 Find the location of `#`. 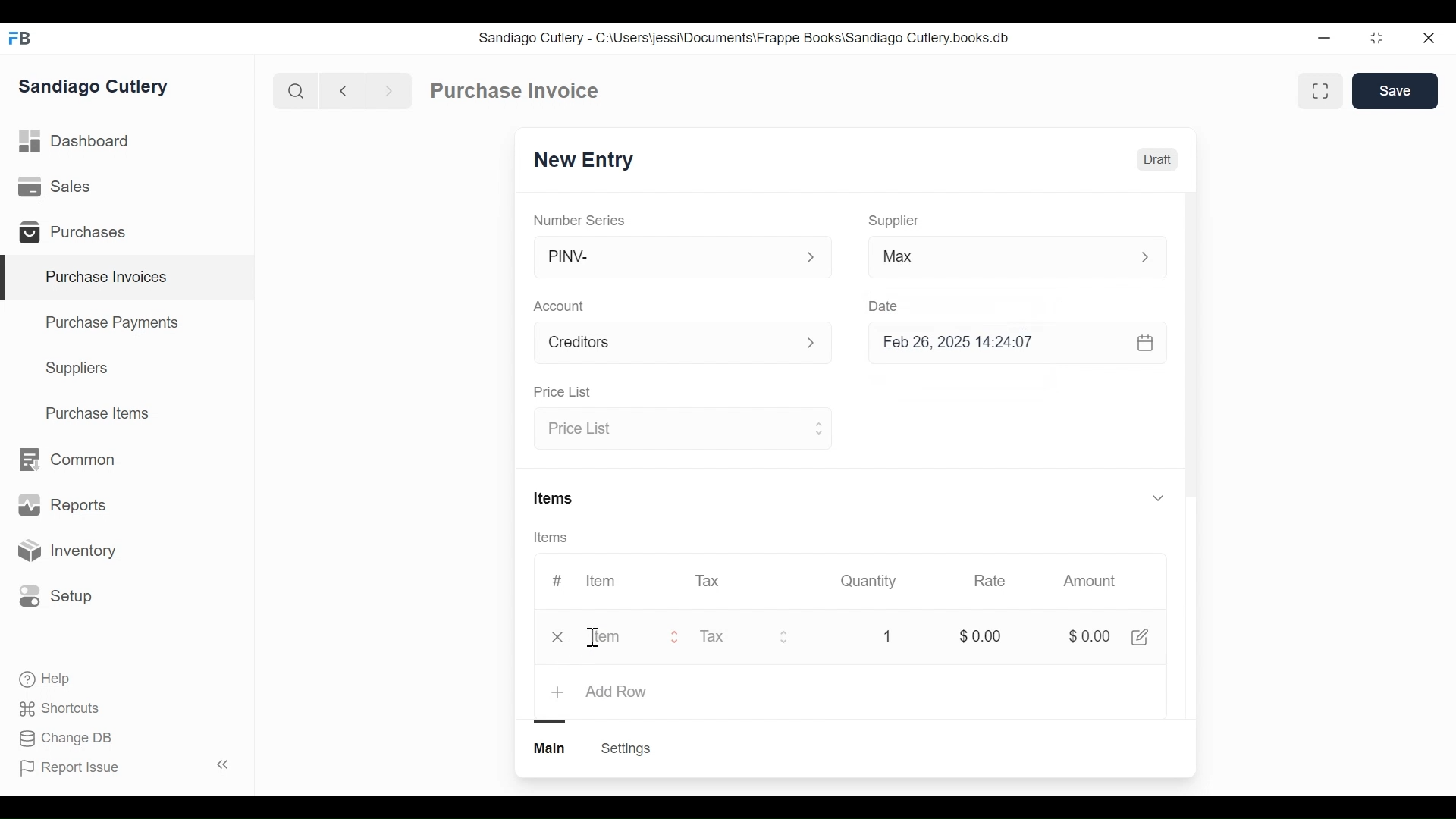

# is located at coordinates (557, 580).